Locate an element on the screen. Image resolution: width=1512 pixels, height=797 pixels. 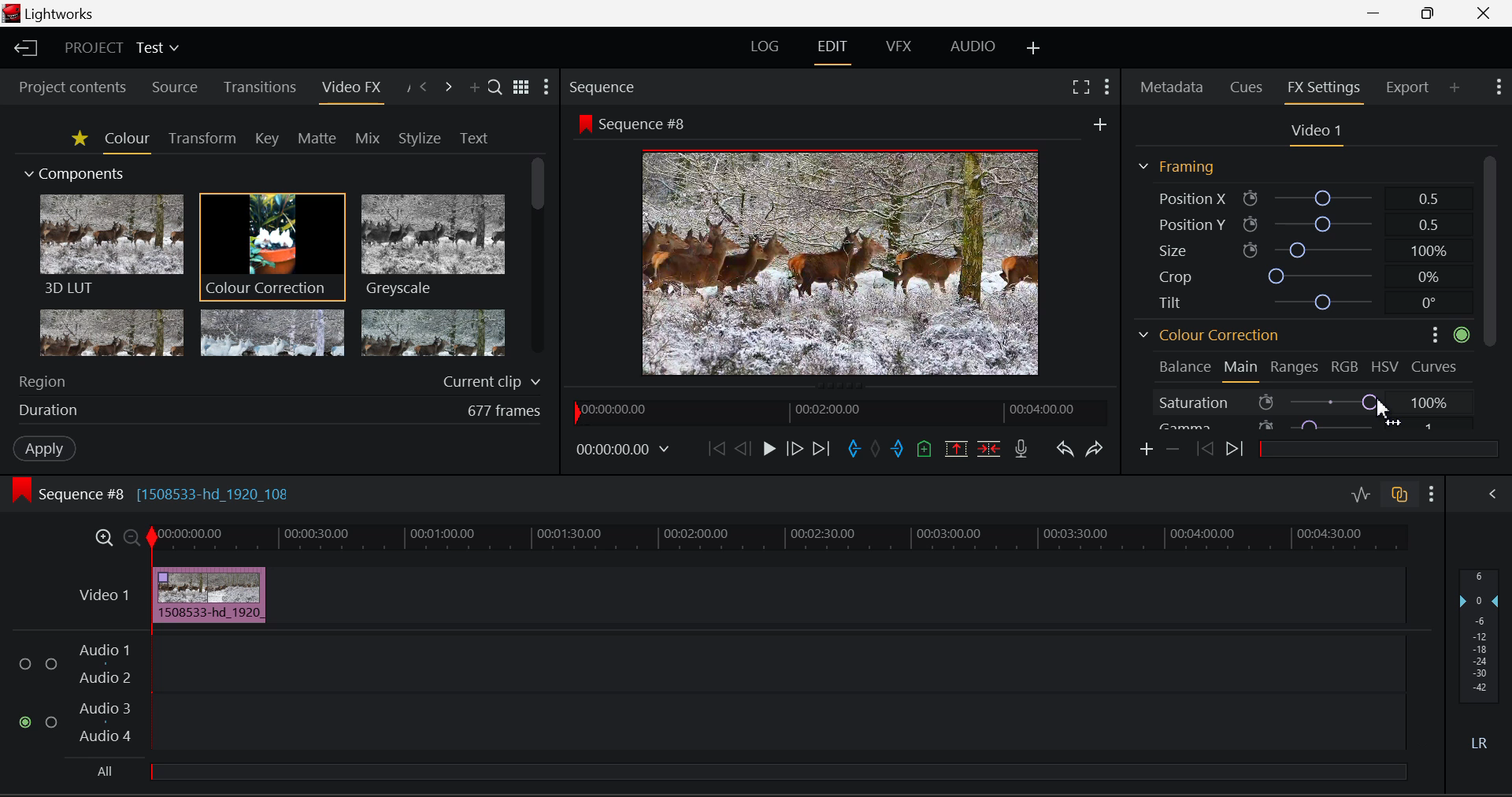
Timeline Zoom Out is located at coordinates (132, 539).